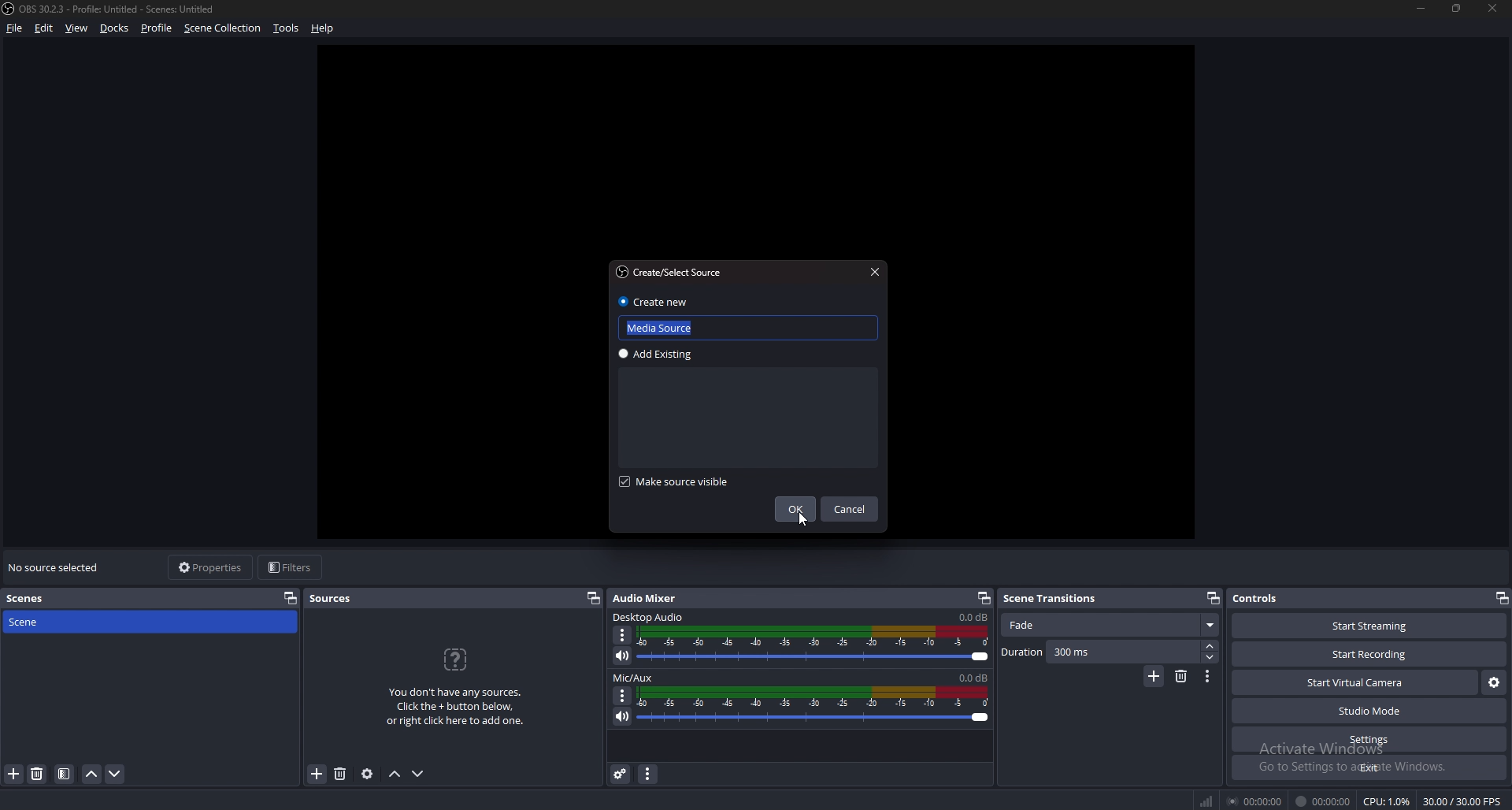 Image resolution: width=1512 pixels, height=810 pixels. Describe the element at coordinates (369, 774) in the screenshot. I see `Sources settings` at that location.